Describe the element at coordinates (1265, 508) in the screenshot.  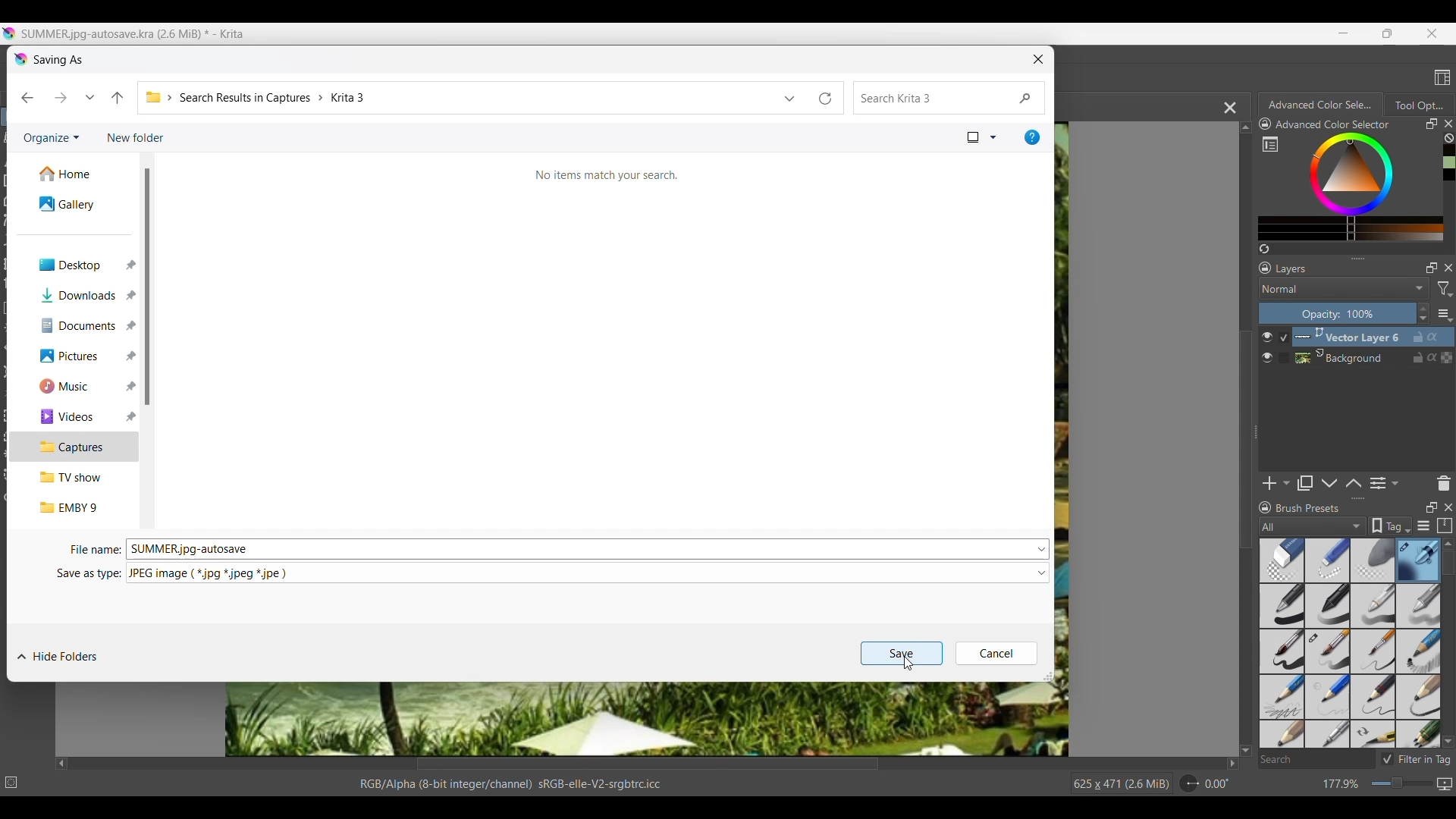
I see `Lock Brush presets panel` at that location.